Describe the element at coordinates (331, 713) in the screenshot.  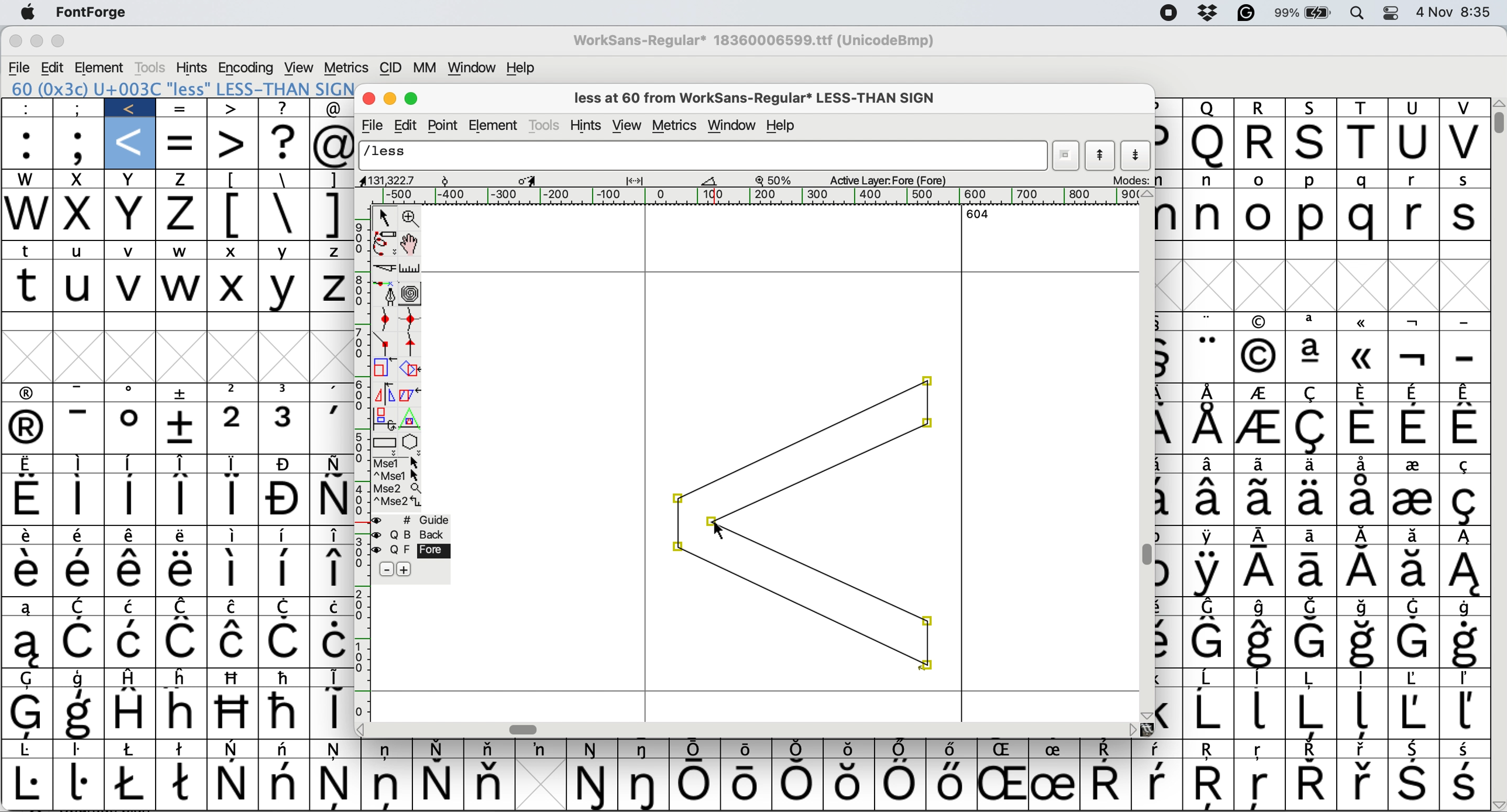
I see `Symbol` at that location.